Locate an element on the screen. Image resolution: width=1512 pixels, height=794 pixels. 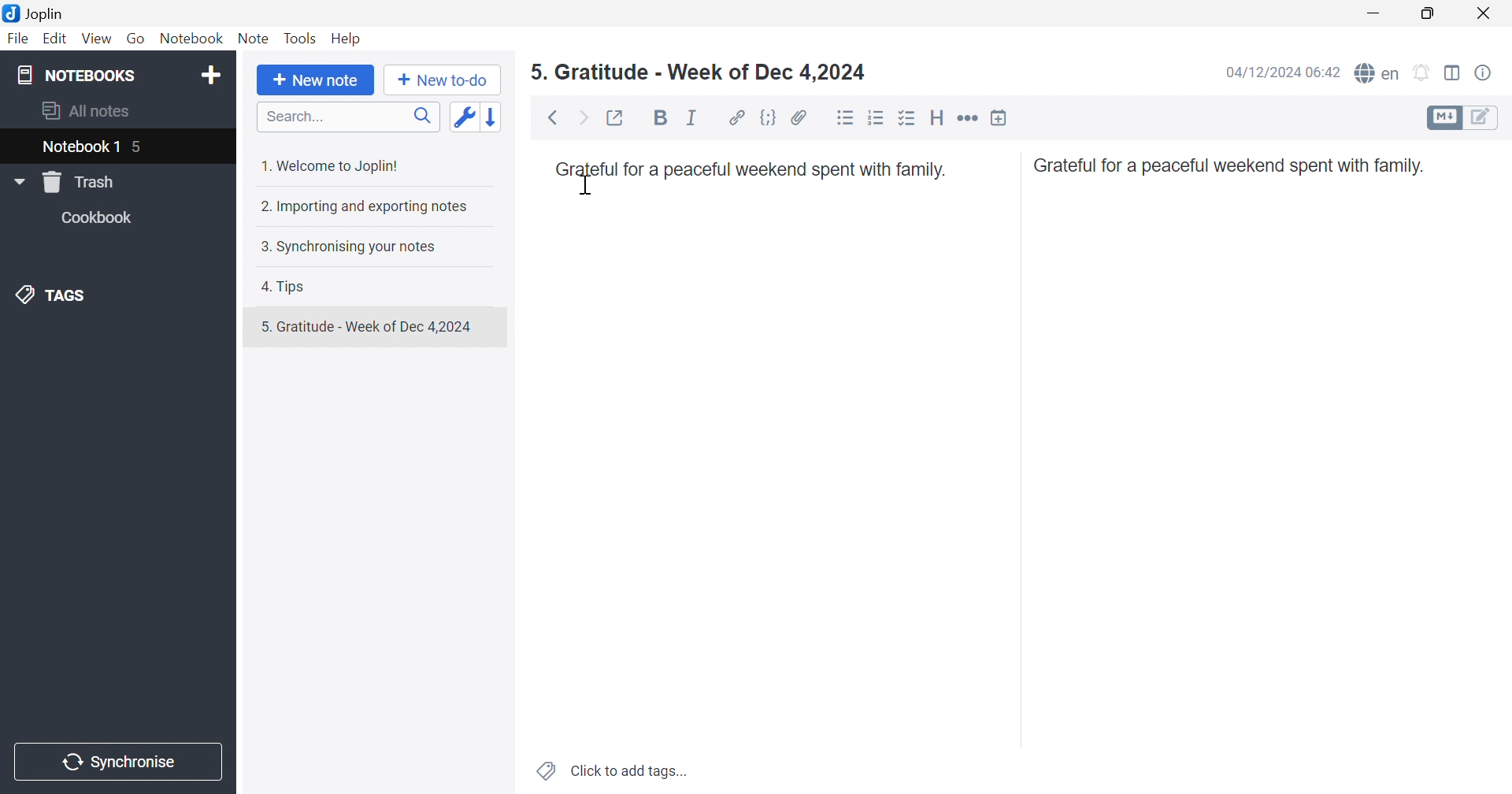
Toggle editors is located at coordinates (1466, 119).